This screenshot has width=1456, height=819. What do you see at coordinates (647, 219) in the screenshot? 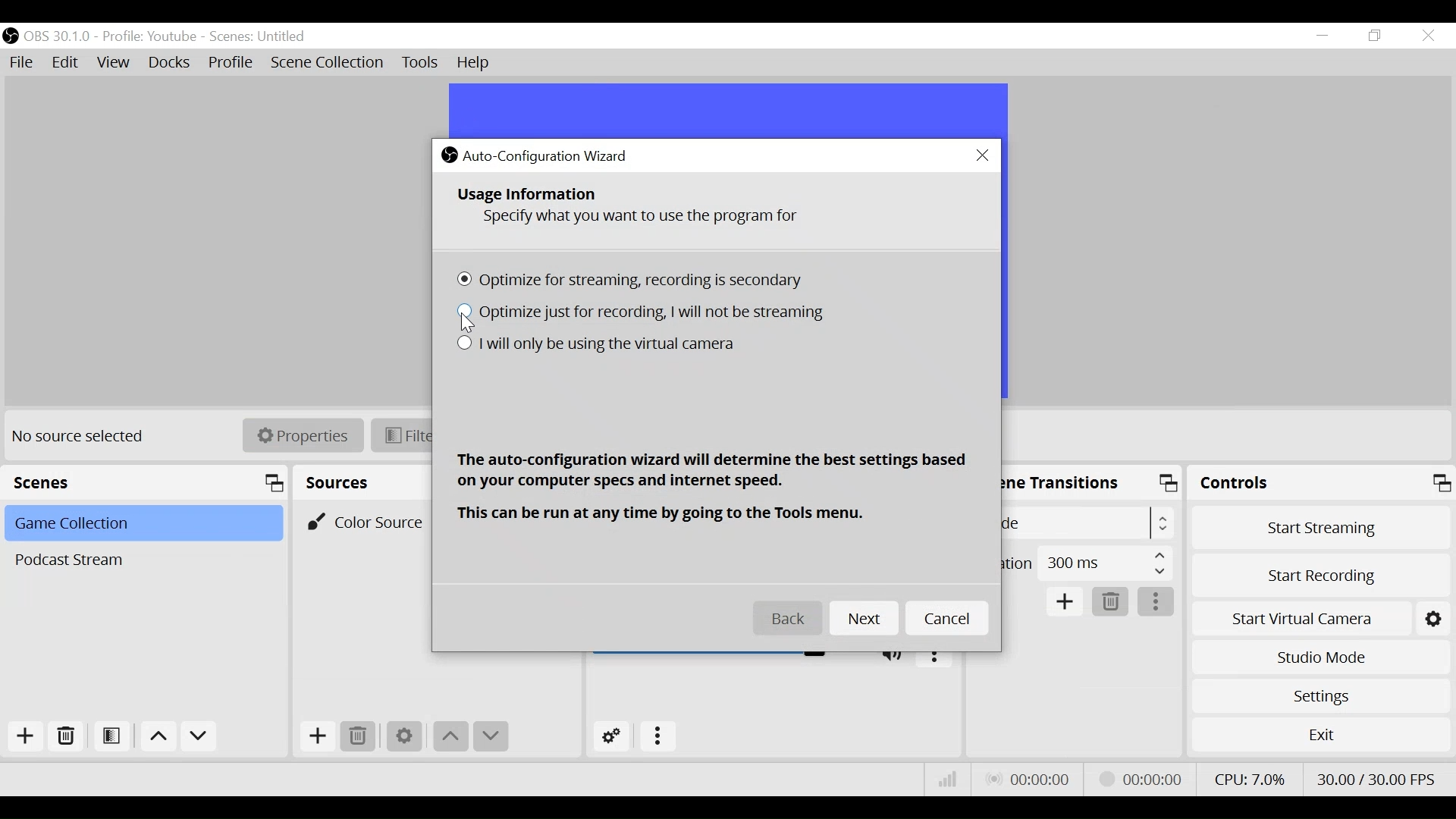
I see `Specify what you want to use the program for` at bounding box center [647, 219].